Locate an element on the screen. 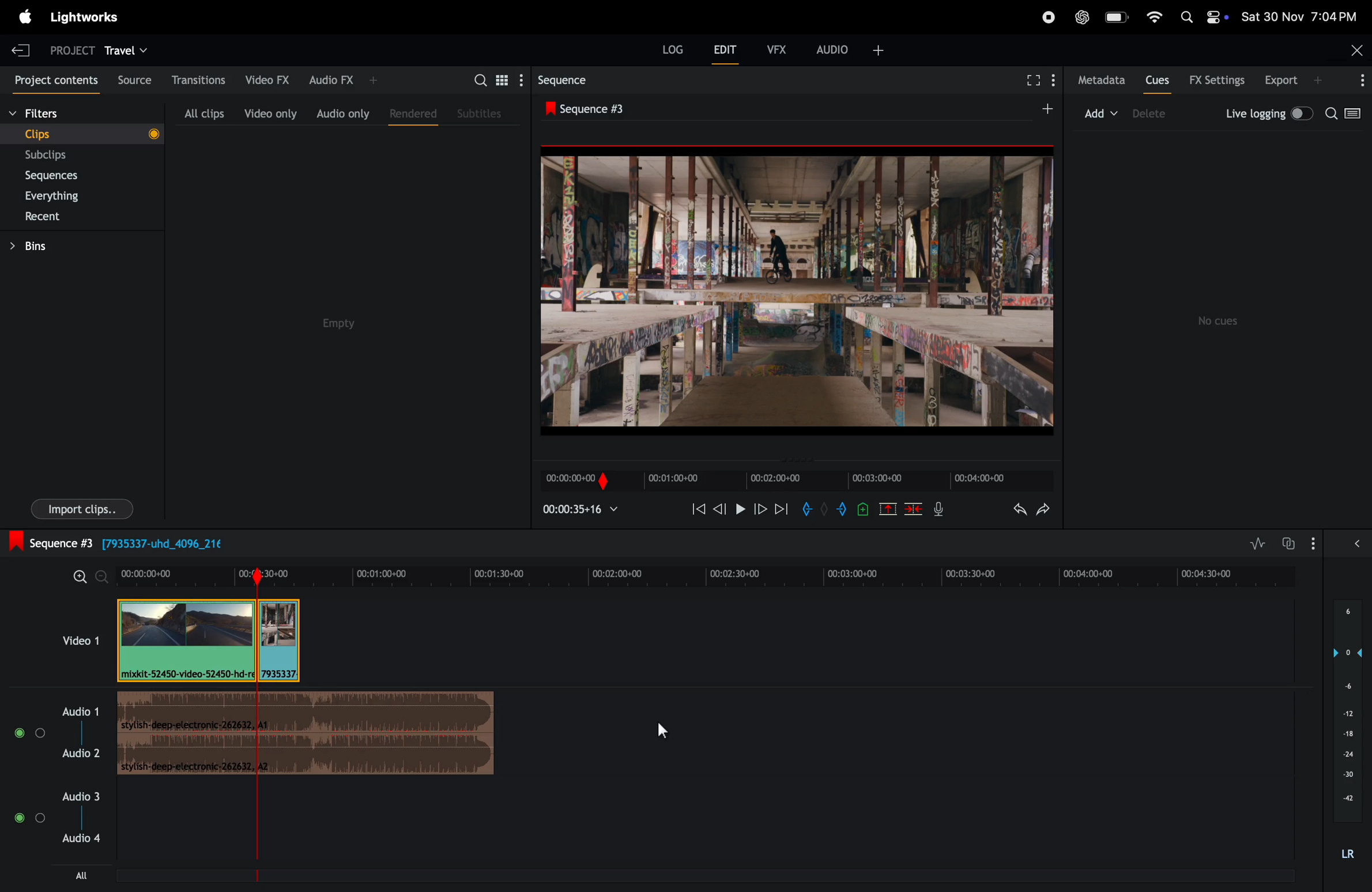 Image resolution: width=1372 pixels, height=892 pixels. audio omly is located at coordinates (342, 111).